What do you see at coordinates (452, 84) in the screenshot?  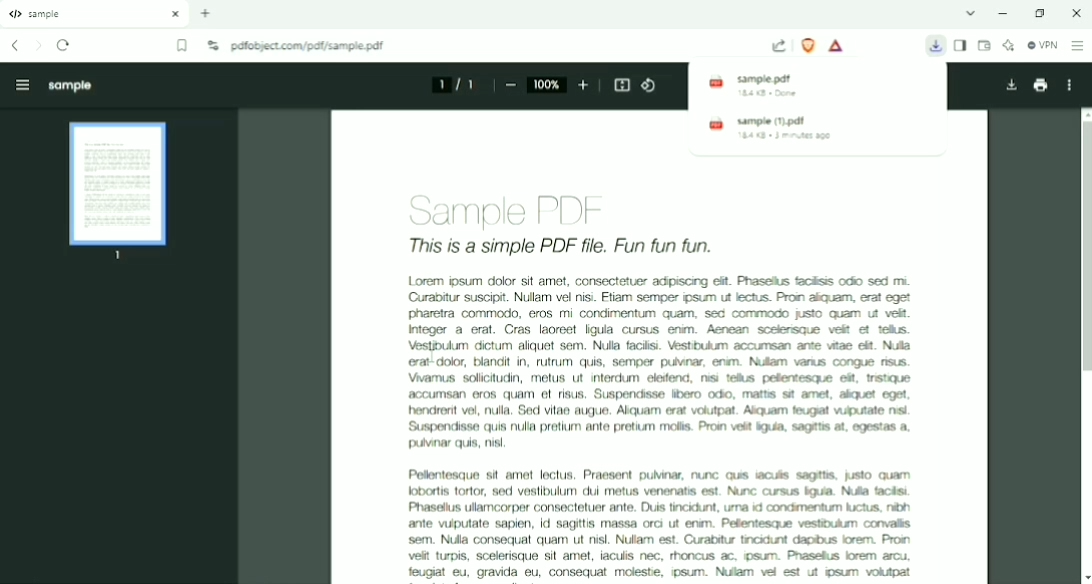 I see `Page number` at bounding box center [452, 84].